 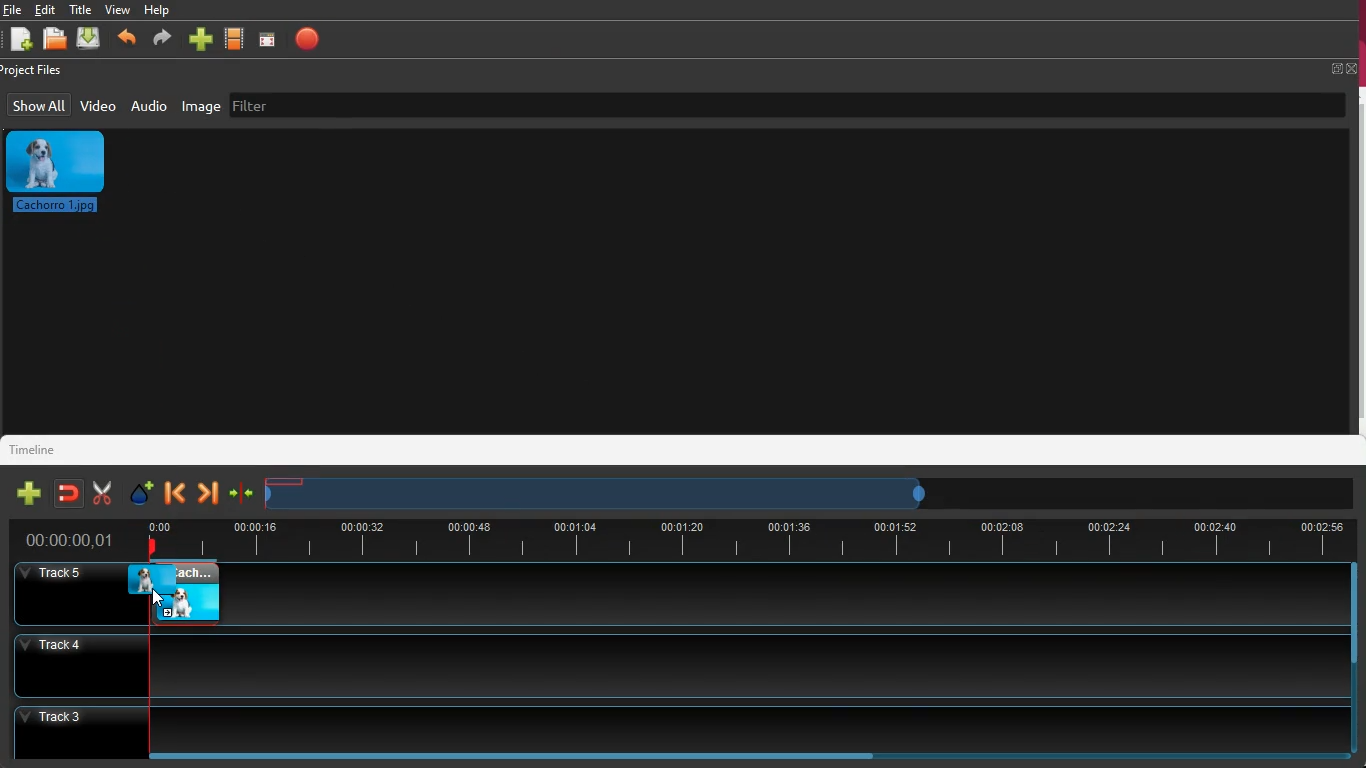 I want to click on stop, so click(x=312, y=38).